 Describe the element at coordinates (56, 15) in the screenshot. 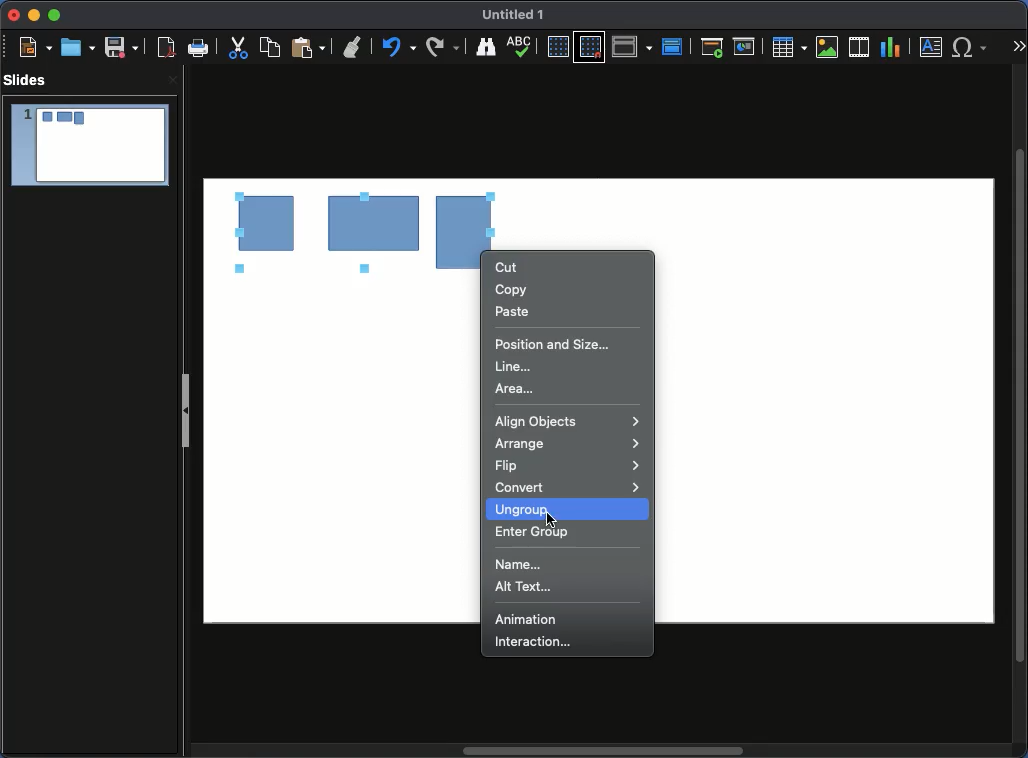

I see `Maximize` at that location.